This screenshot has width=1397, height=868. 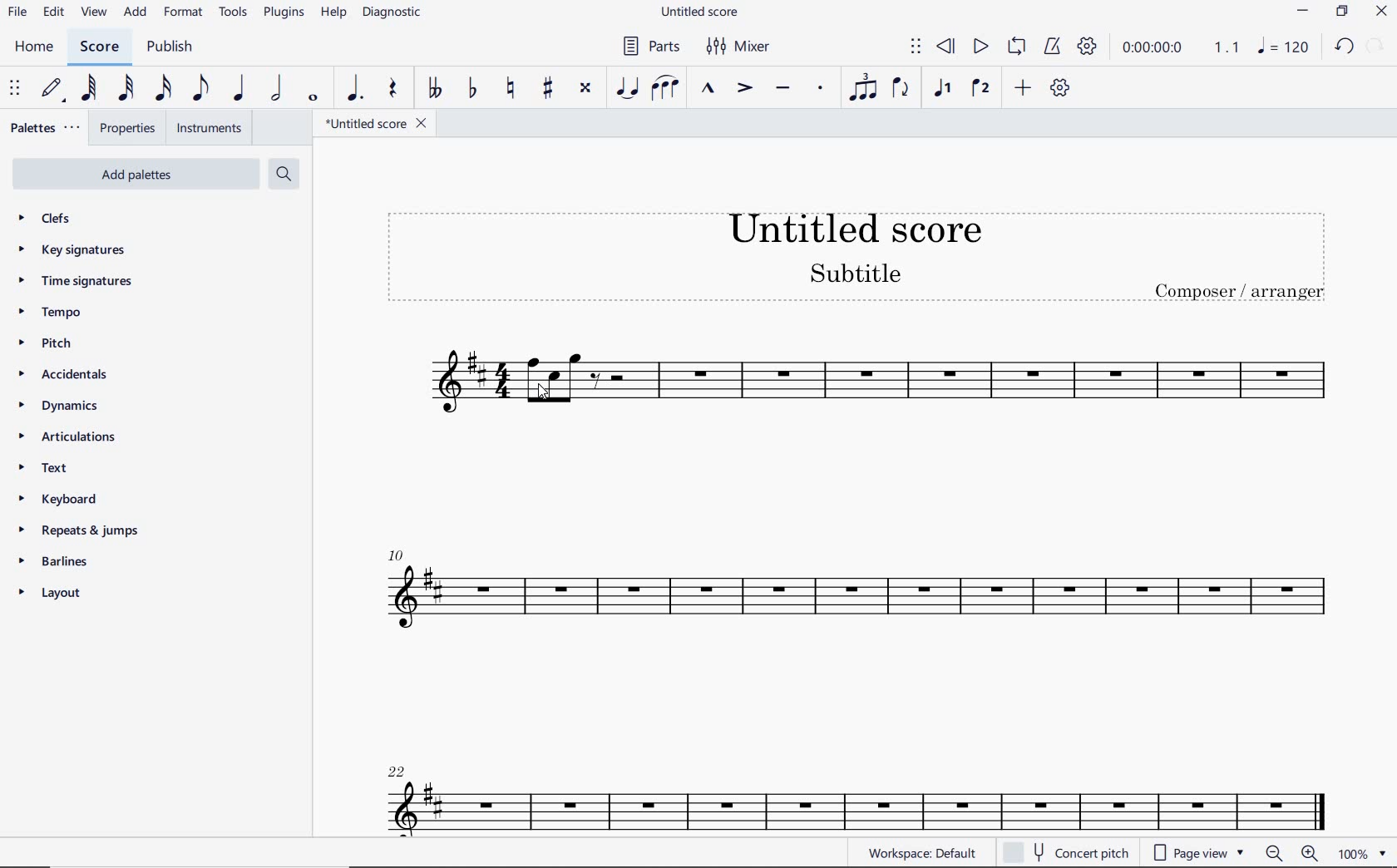 What do you see at coordinates (89, 87) in the screenshot?
I see `64TH NOTE` at bounding box center [89, 87].